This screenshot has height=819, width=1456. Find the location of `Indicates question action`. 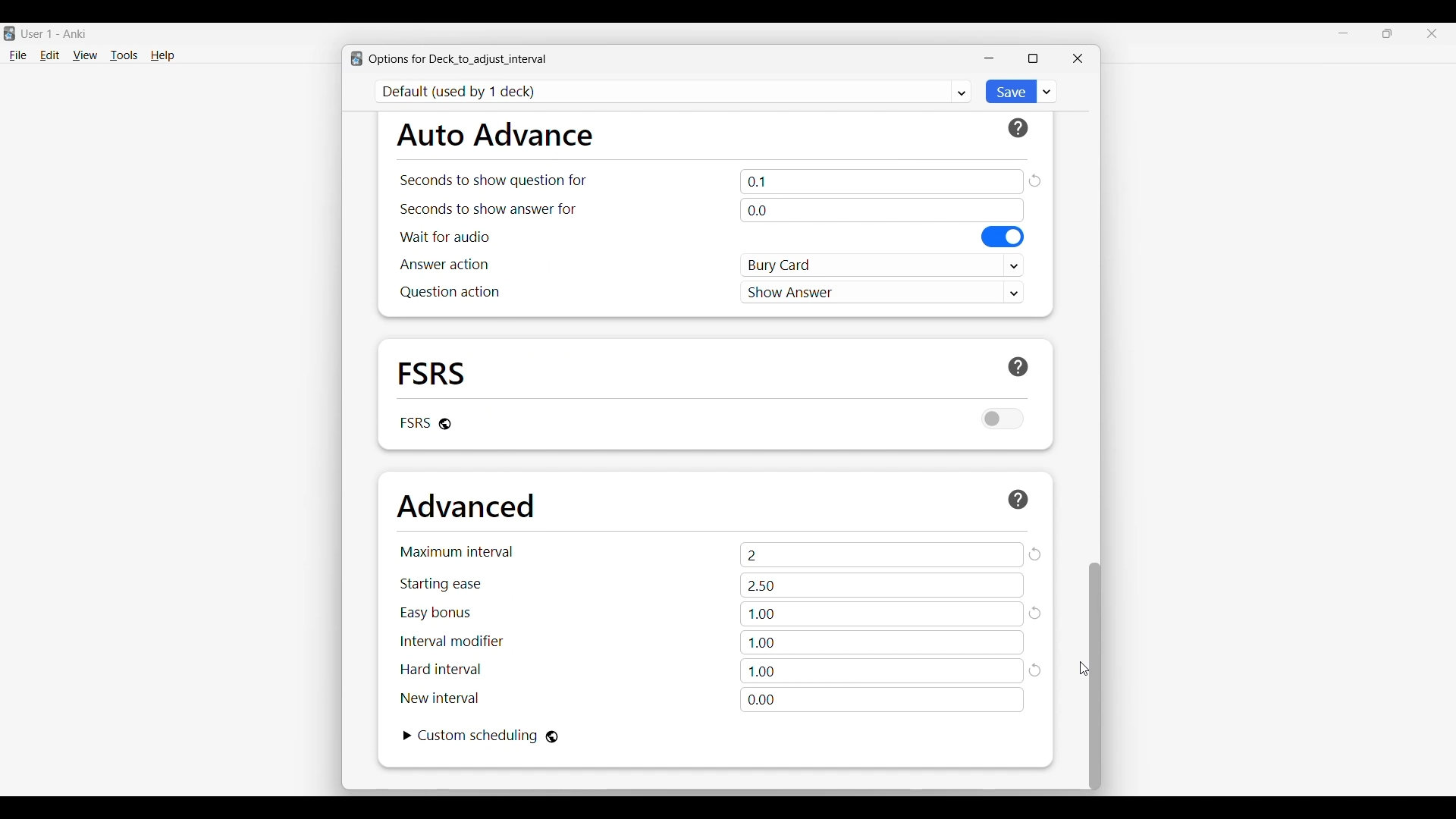

Indicates question action is located at coordinates (450, 292).